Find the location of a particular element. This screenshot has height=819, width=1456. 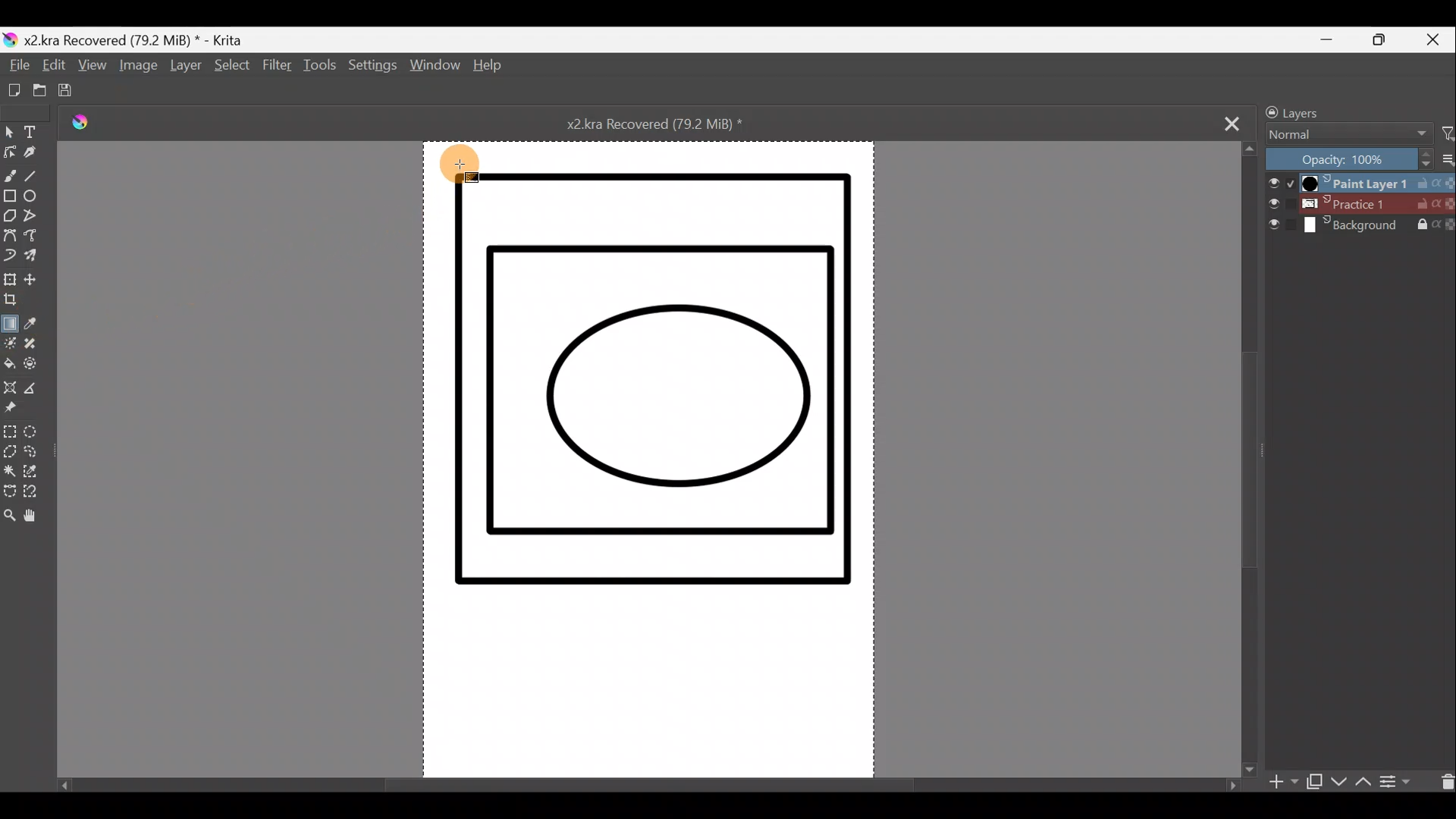

Assistant tool is located at coordinates (10, 390).